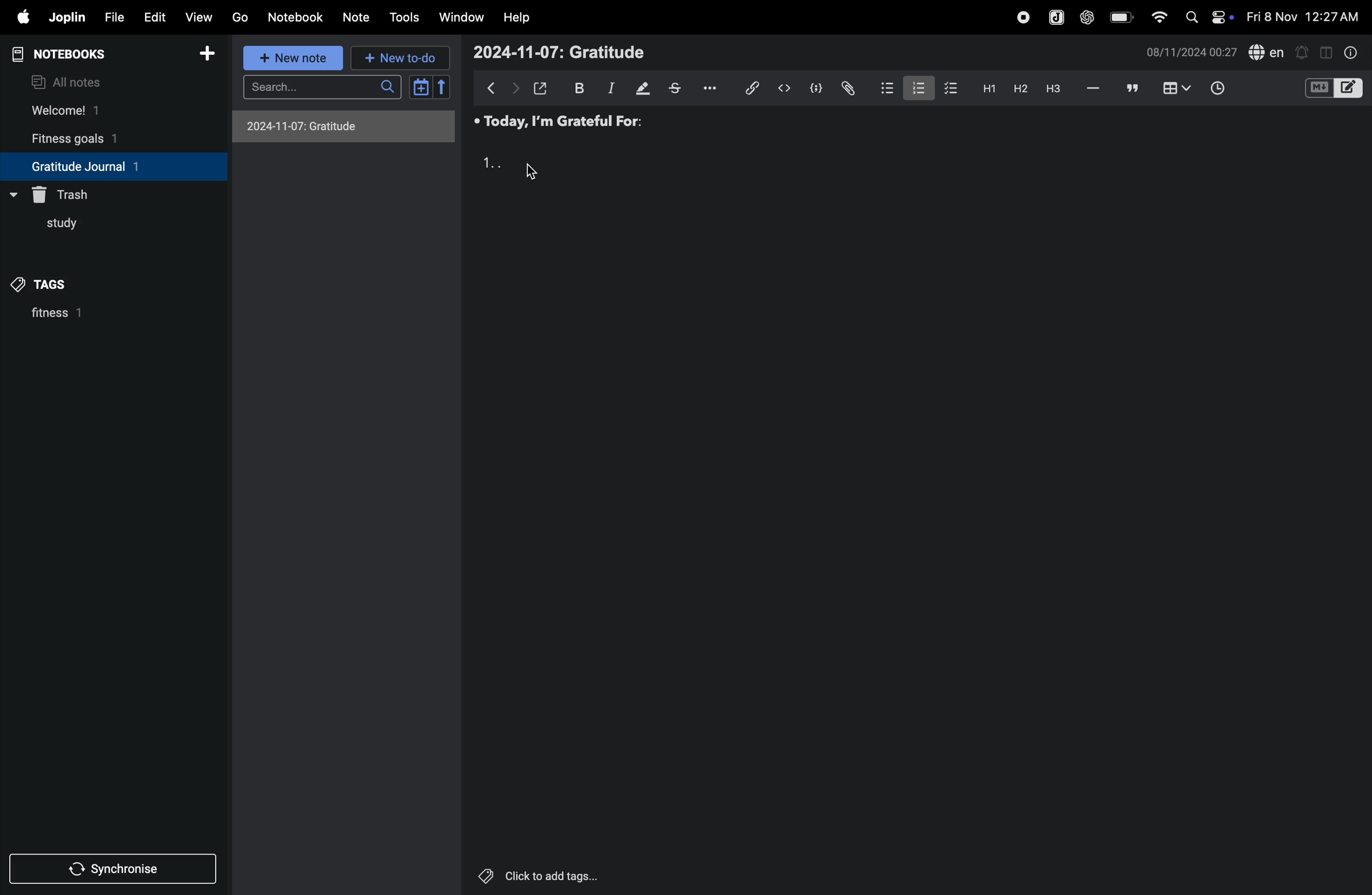 This screenshot has width=1372, height=895. I want to click on italic, so click(610, 89).